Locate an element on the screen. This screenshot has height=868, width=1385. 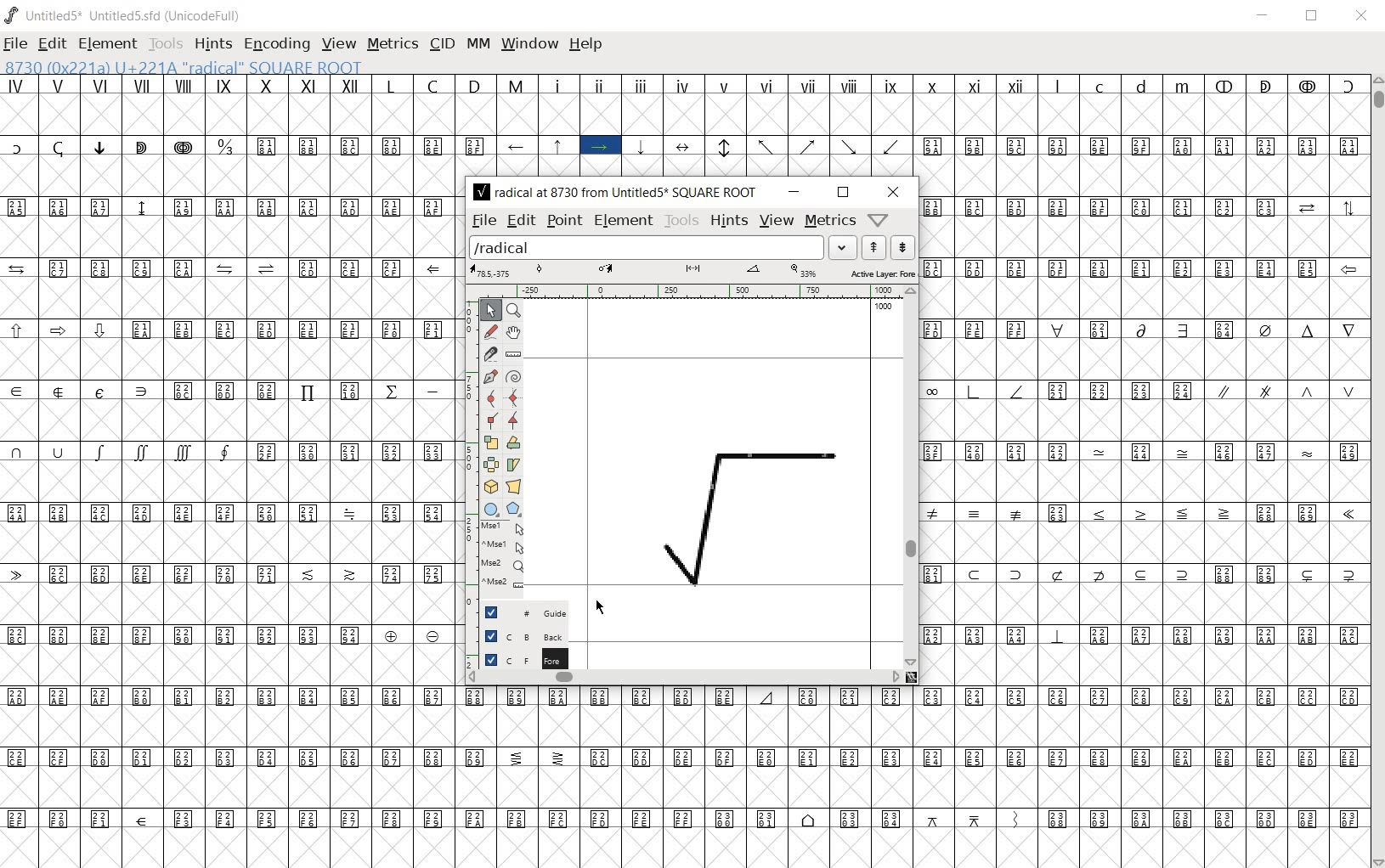
mse1 mse1 mse2 mse2 is located at coordinates (501, 557).